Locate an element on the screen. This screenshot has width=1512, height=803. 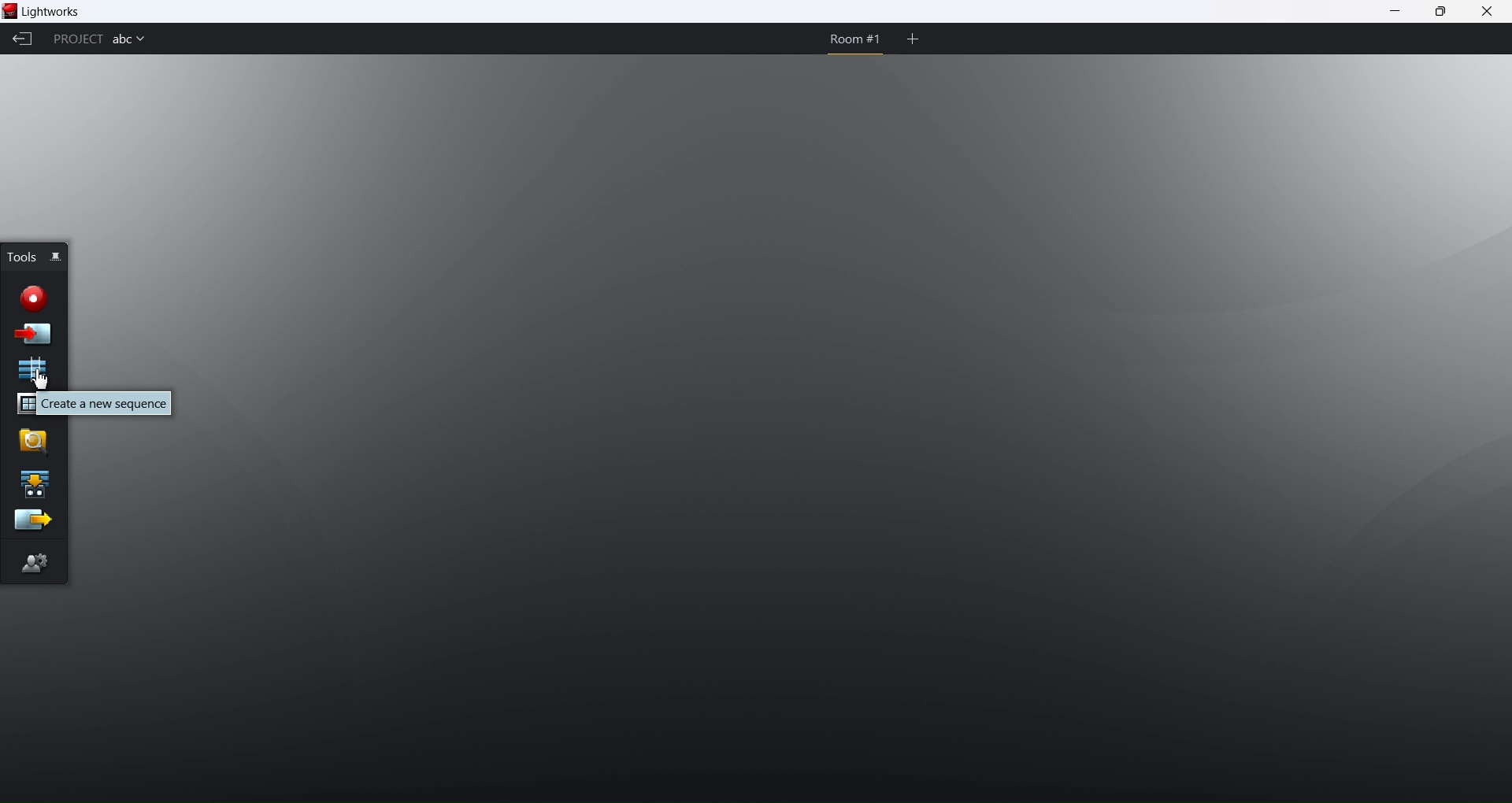
project name is located at coordinates (135, 41).